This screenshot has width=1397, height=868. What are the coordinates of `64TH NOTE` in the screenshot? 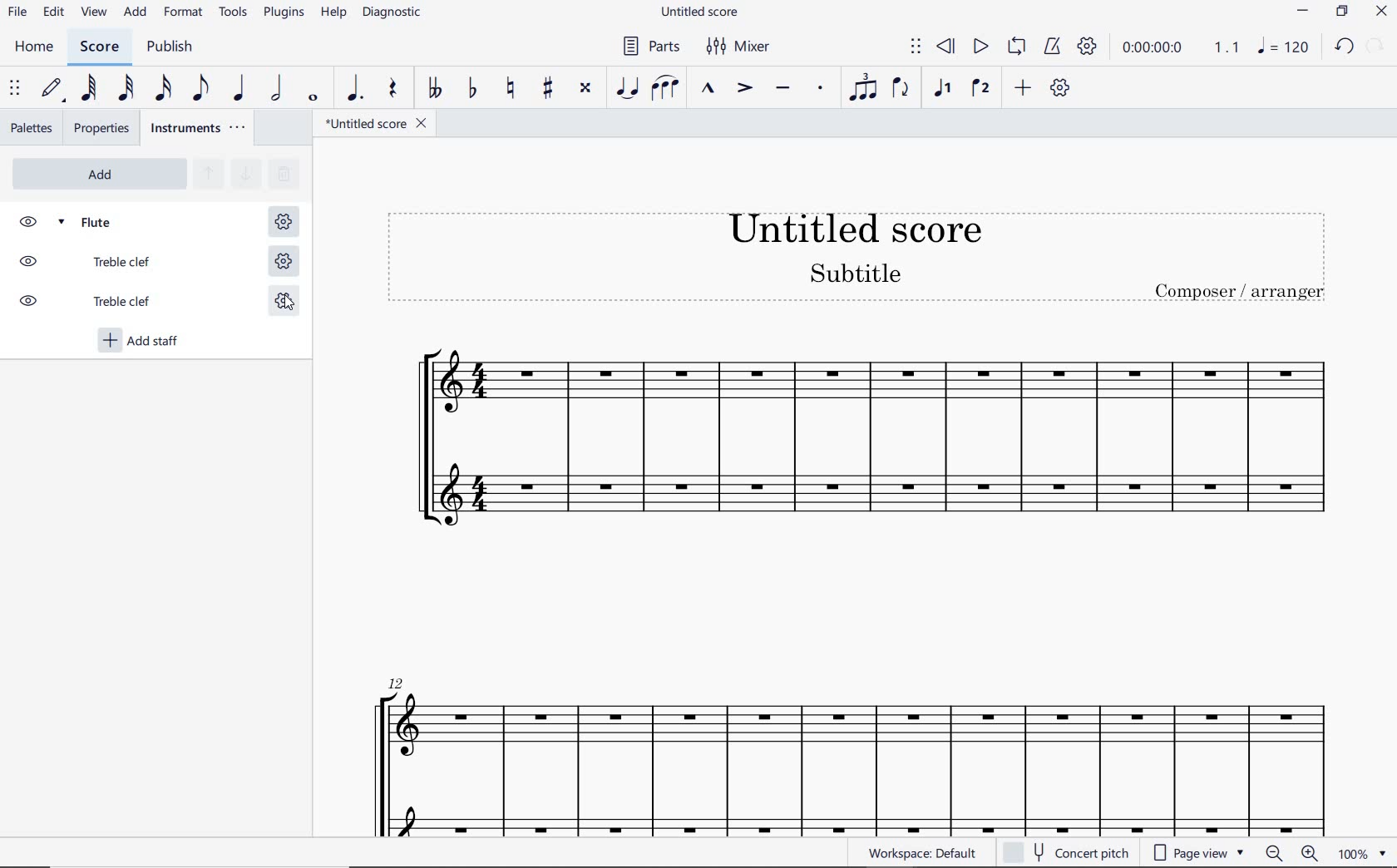 It's located at (90, 88).